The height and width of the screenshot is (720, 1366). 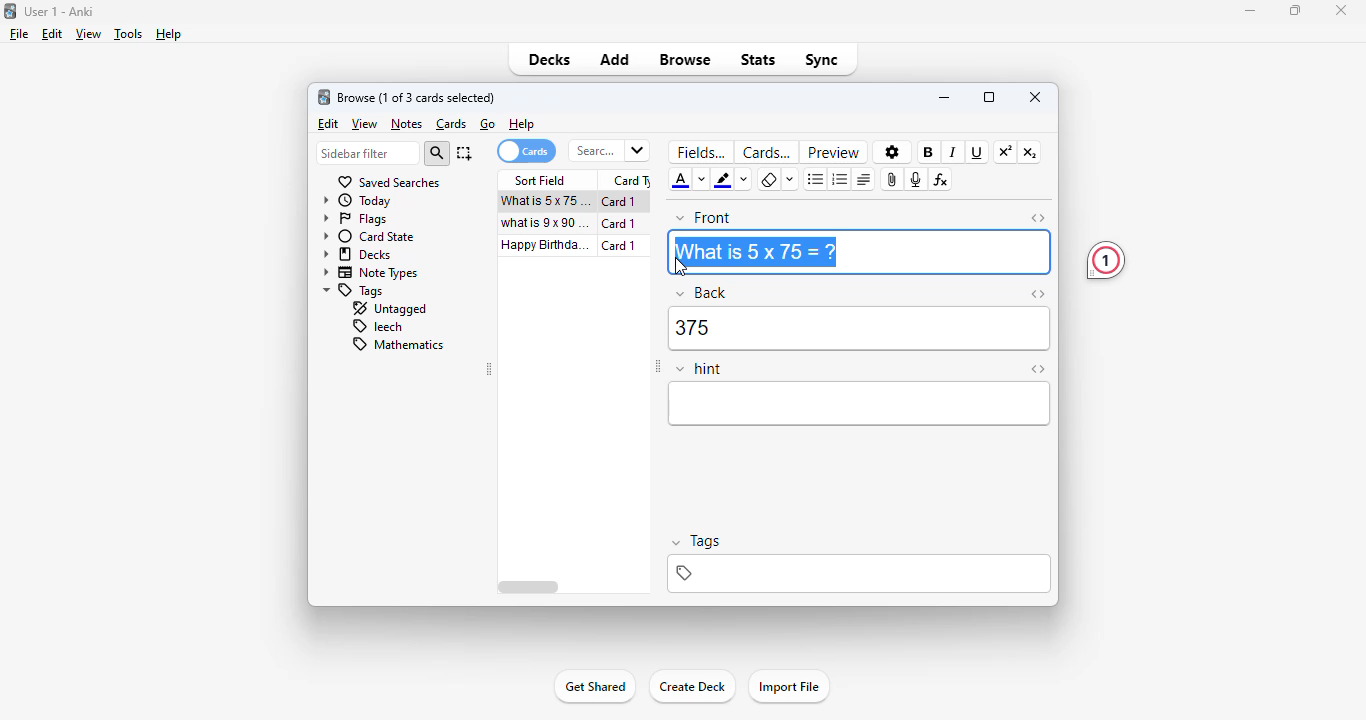 I want to click on preview, so click(x=835, y=152).